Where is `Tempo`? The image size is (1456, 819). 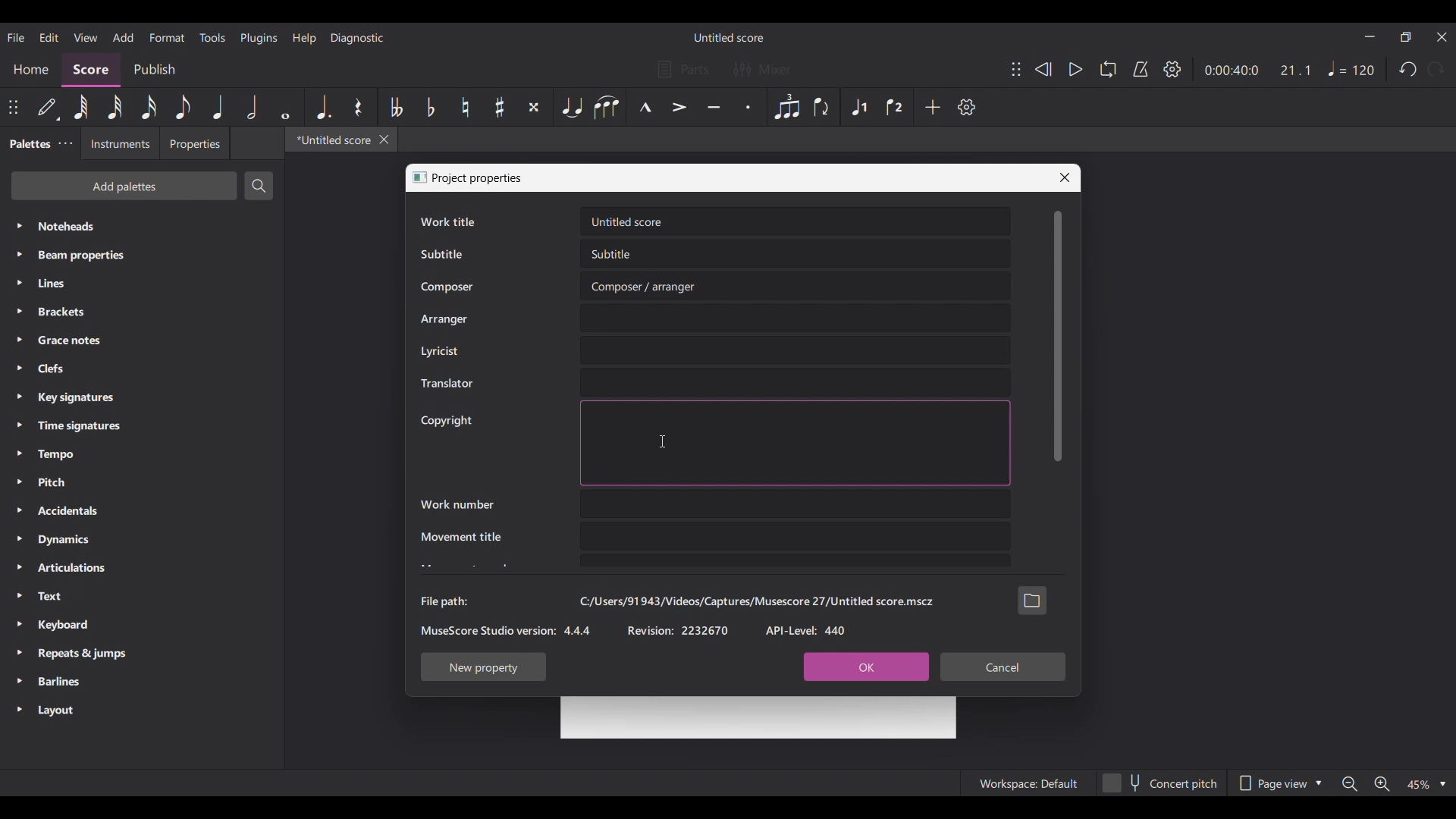
Tempo is located at coordinates (142, 454).